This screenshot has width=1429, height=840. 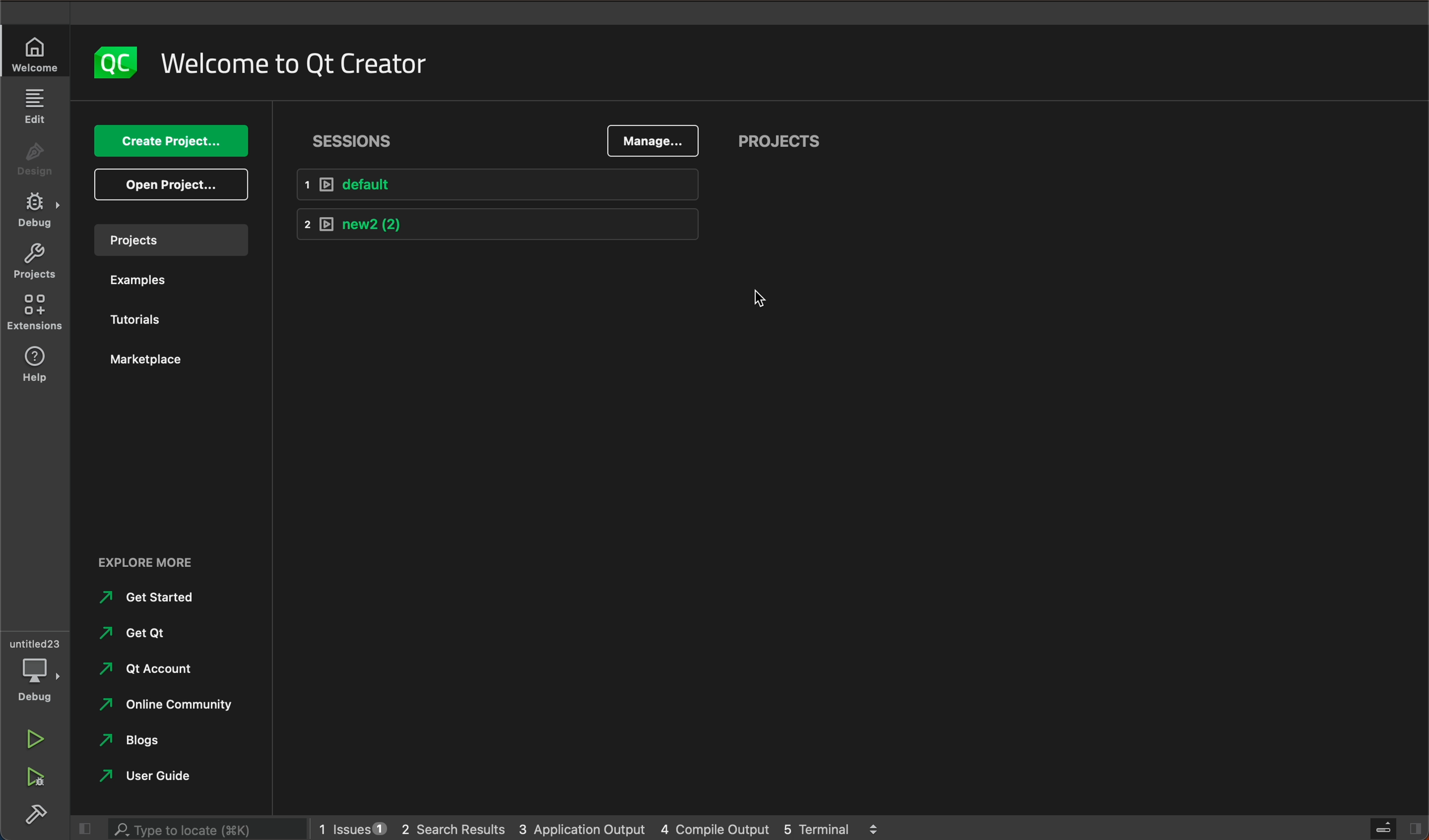 I want to click on manage, so click(x=654, y=139).